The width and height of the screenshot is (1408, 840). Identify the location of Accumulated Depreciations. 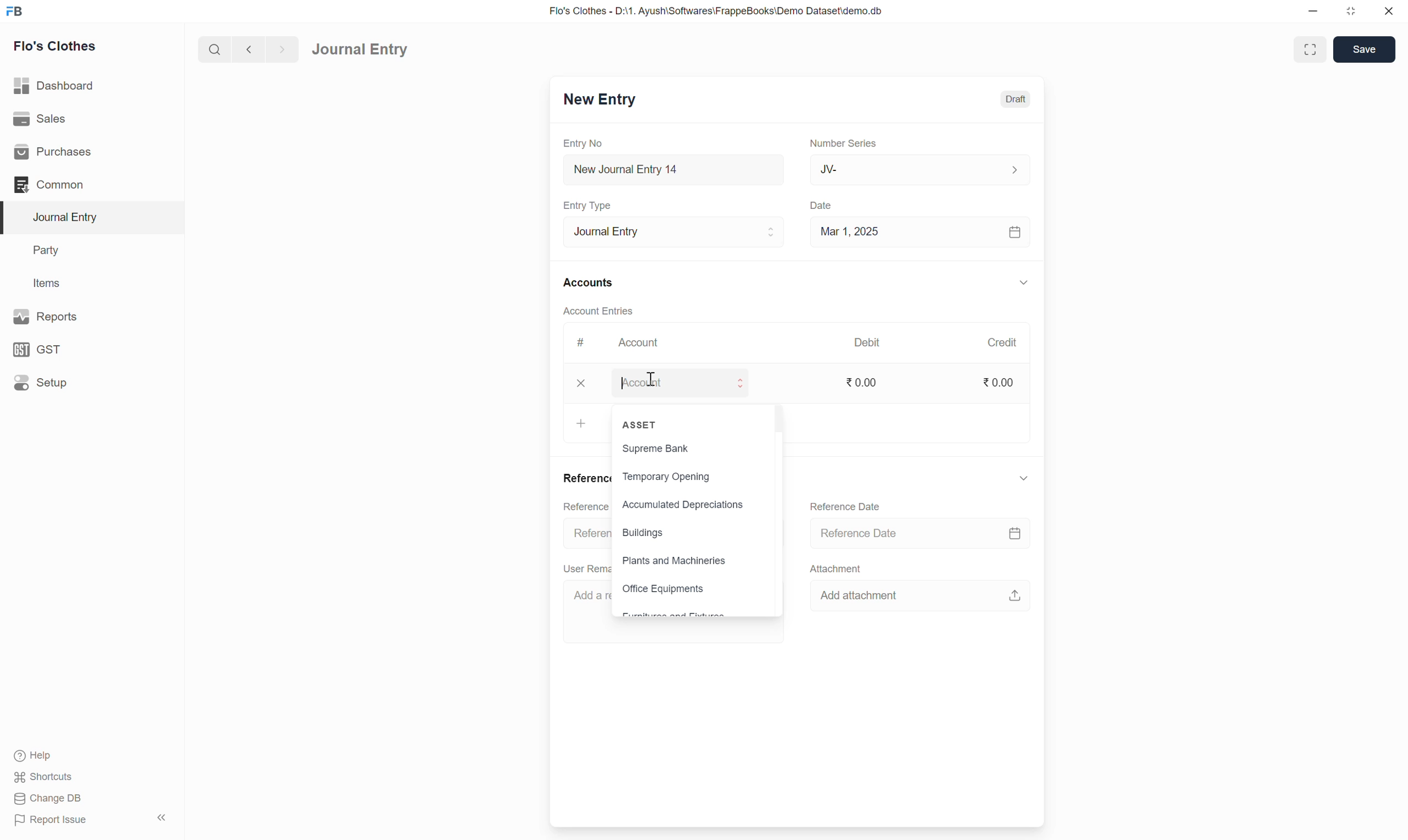
(683, 506).